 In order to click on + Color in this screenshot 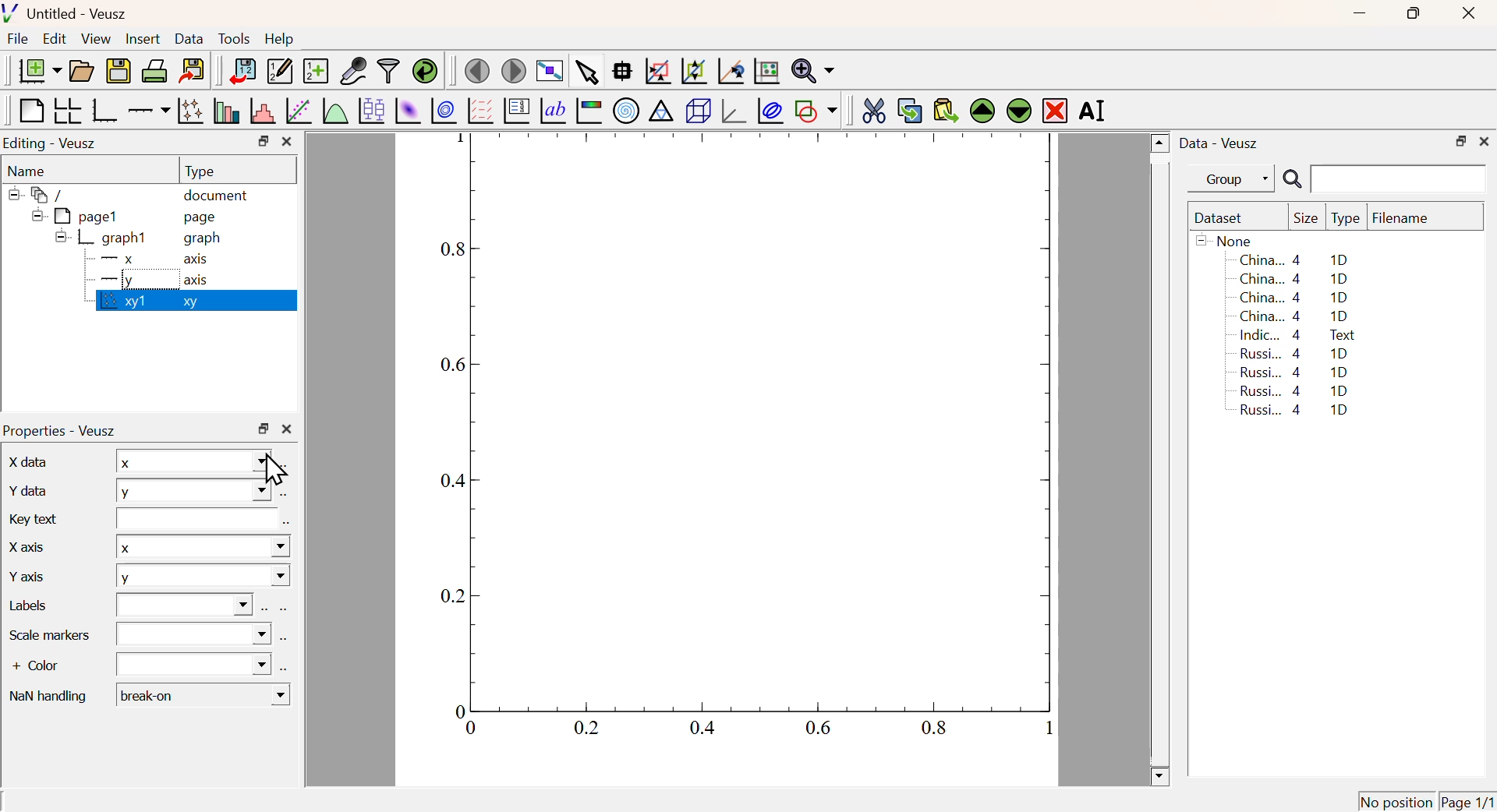, I will do `click(48, 667)`.